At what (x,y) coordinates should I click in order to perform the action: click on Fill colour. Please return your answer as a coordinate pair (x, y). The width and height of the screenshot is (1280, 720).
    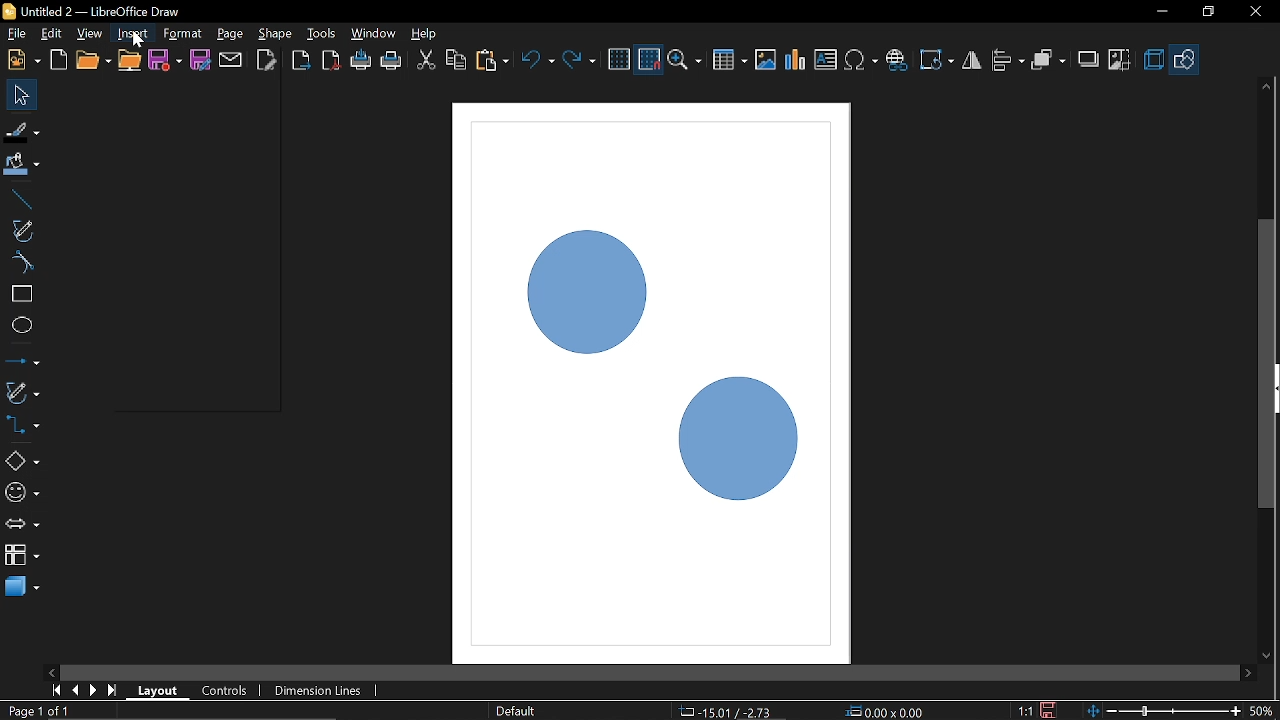
    Looking at the image, I should click on (22, 165).